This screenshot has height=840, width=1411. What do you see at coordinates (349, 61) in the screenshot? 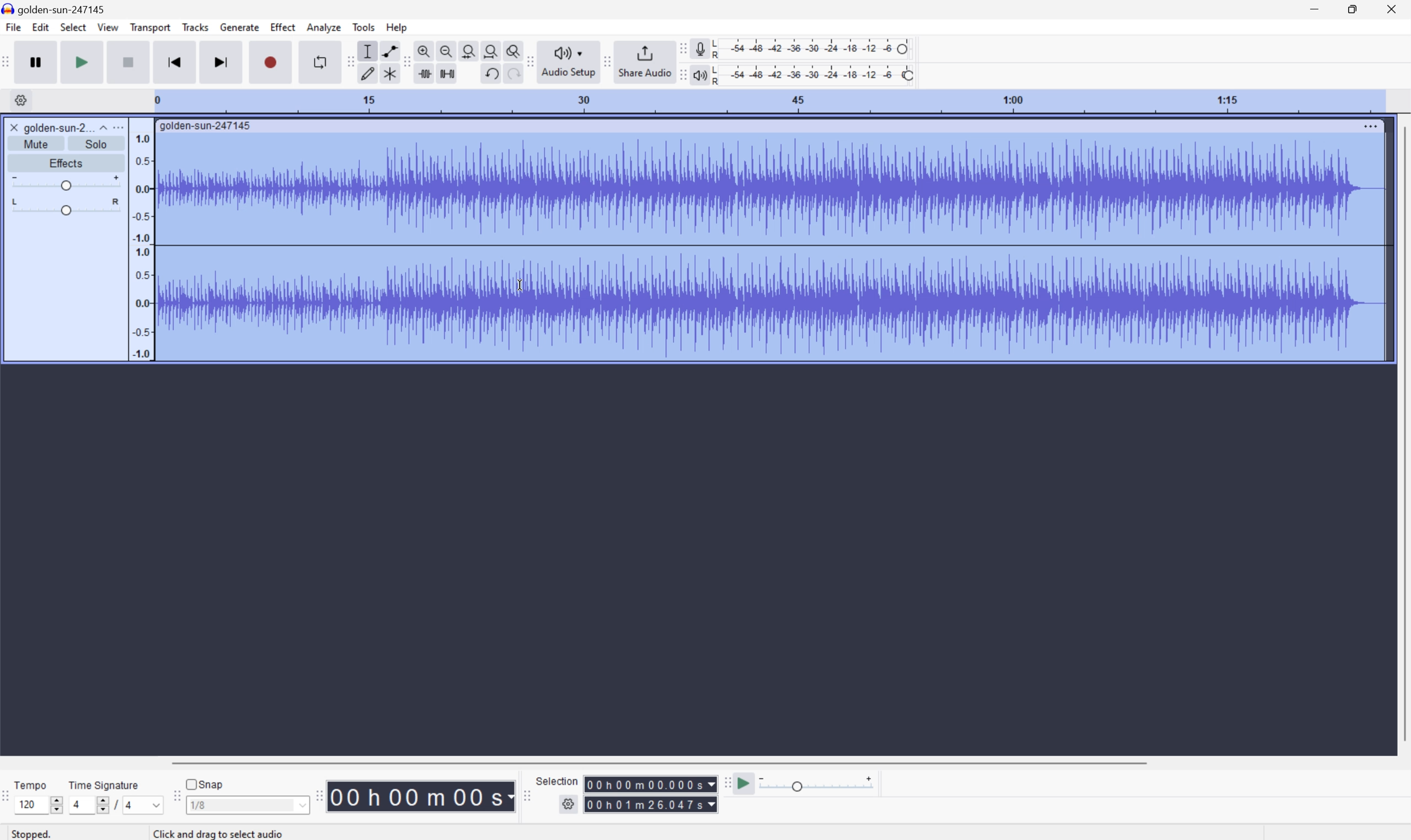
I see `Audacity edit toolbar` at bounding box center [349, 61].